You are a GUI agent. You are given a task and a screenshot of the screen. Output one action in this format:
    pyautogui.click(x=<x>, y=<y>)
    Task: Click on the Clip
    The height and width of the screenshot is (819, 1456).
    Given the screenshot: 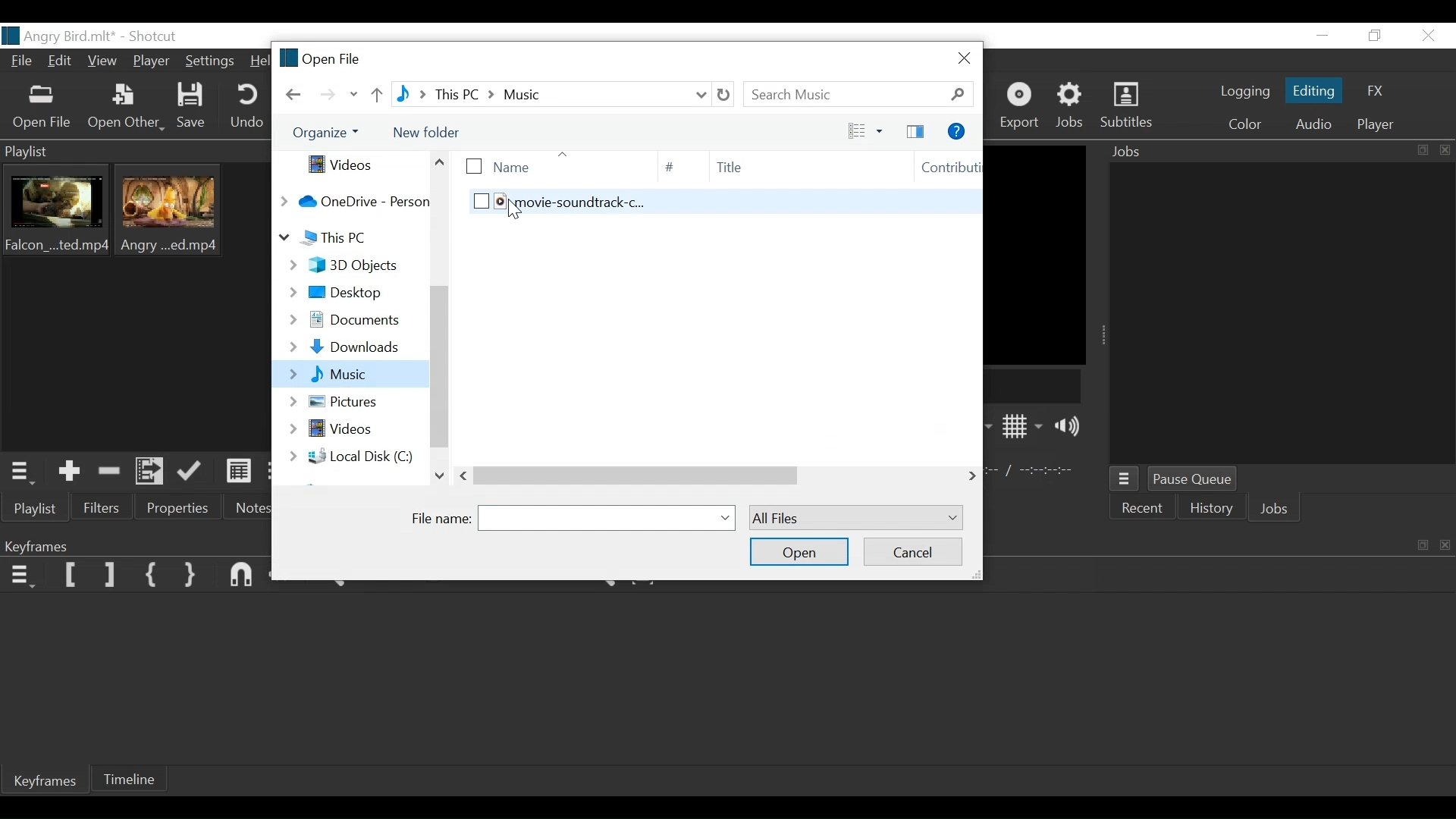 What is the action you would take?
    pyautogui.click(x=60, y=214)
    